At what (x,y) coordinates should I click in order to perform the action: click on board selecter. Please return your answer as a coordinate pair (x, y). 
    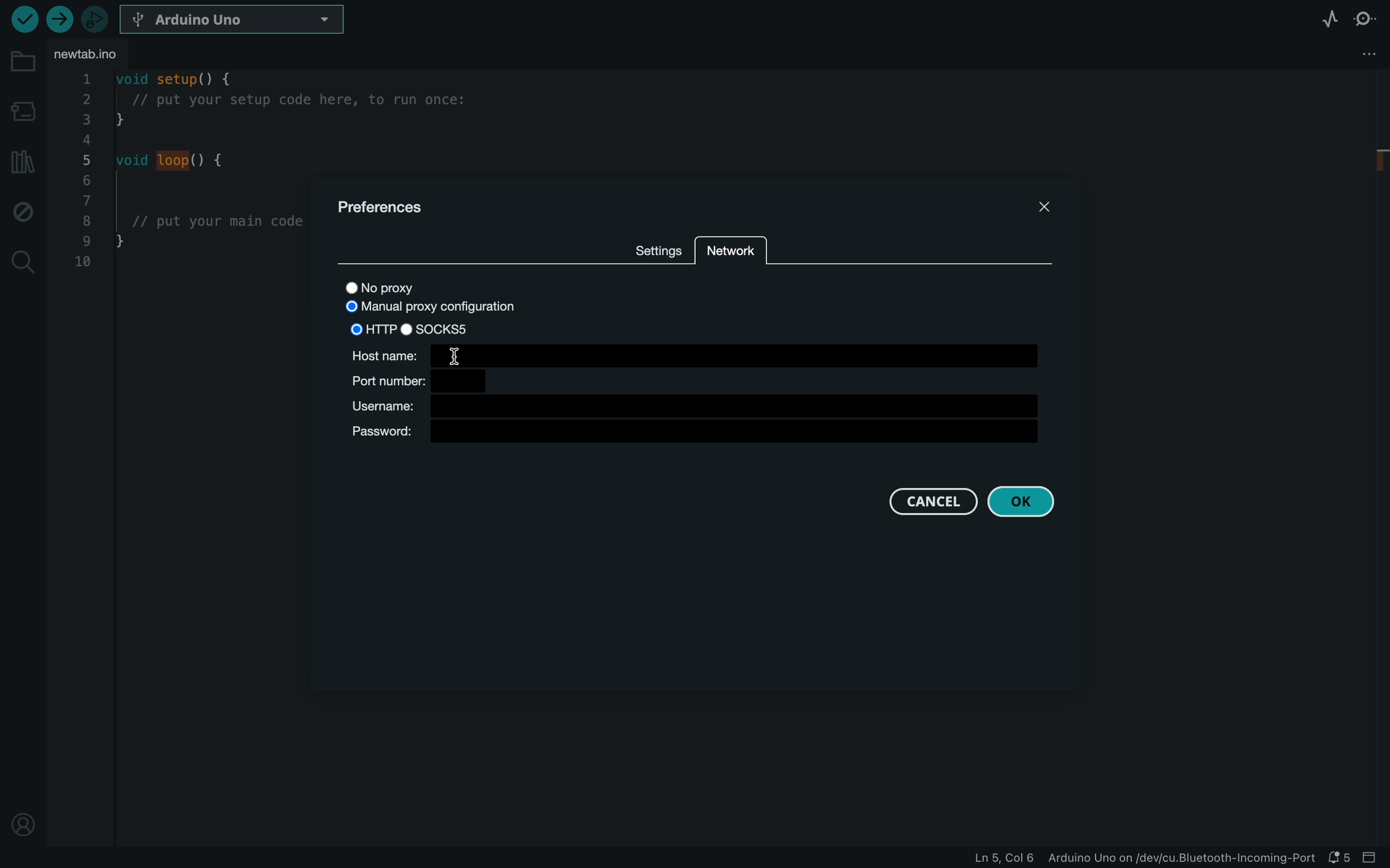
    Looking at the image, I should click on (234, 21).